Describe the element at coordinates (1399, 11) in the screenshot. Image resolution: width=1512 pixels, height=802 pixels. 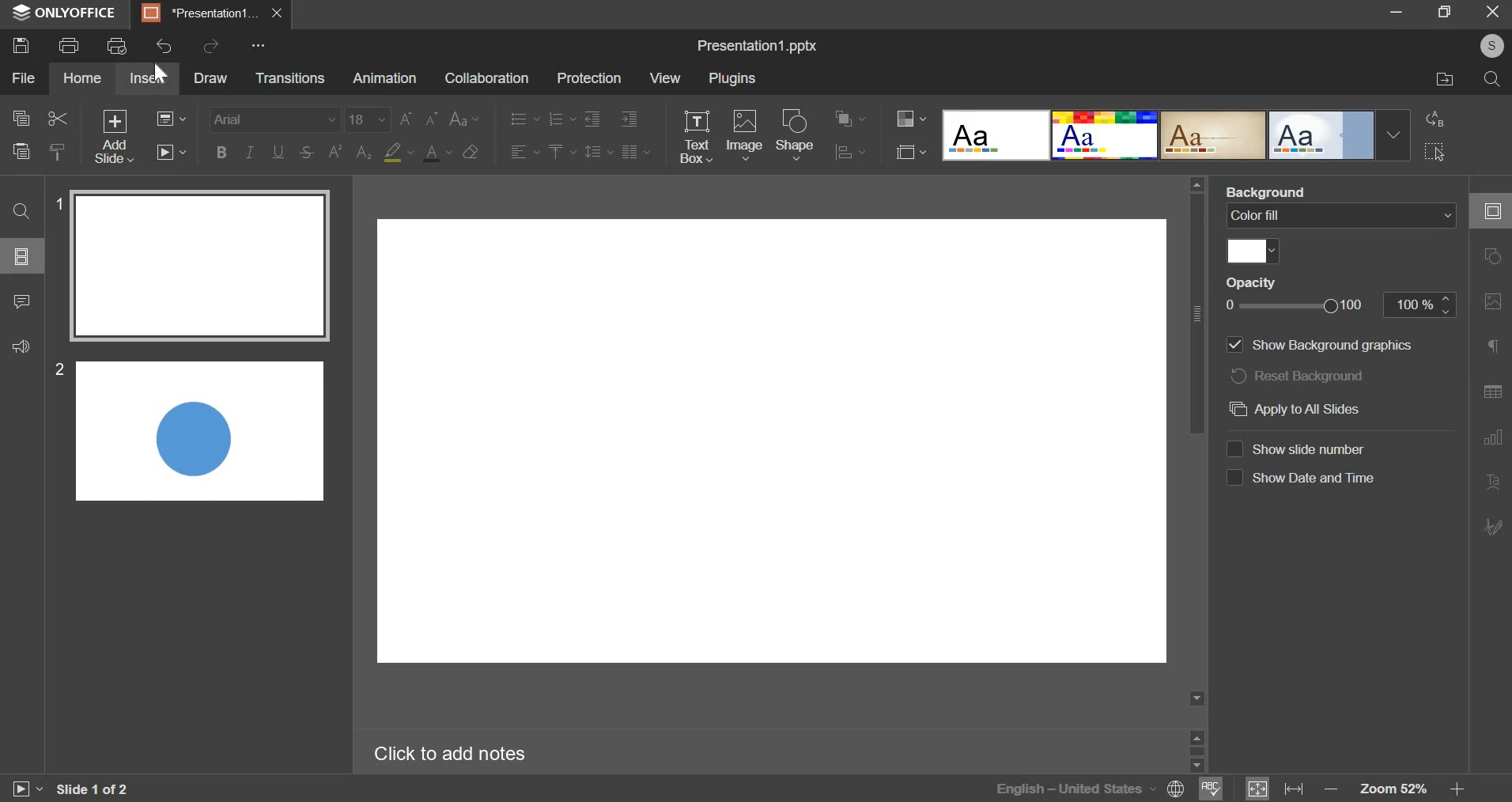
I see `minimize` at that location.